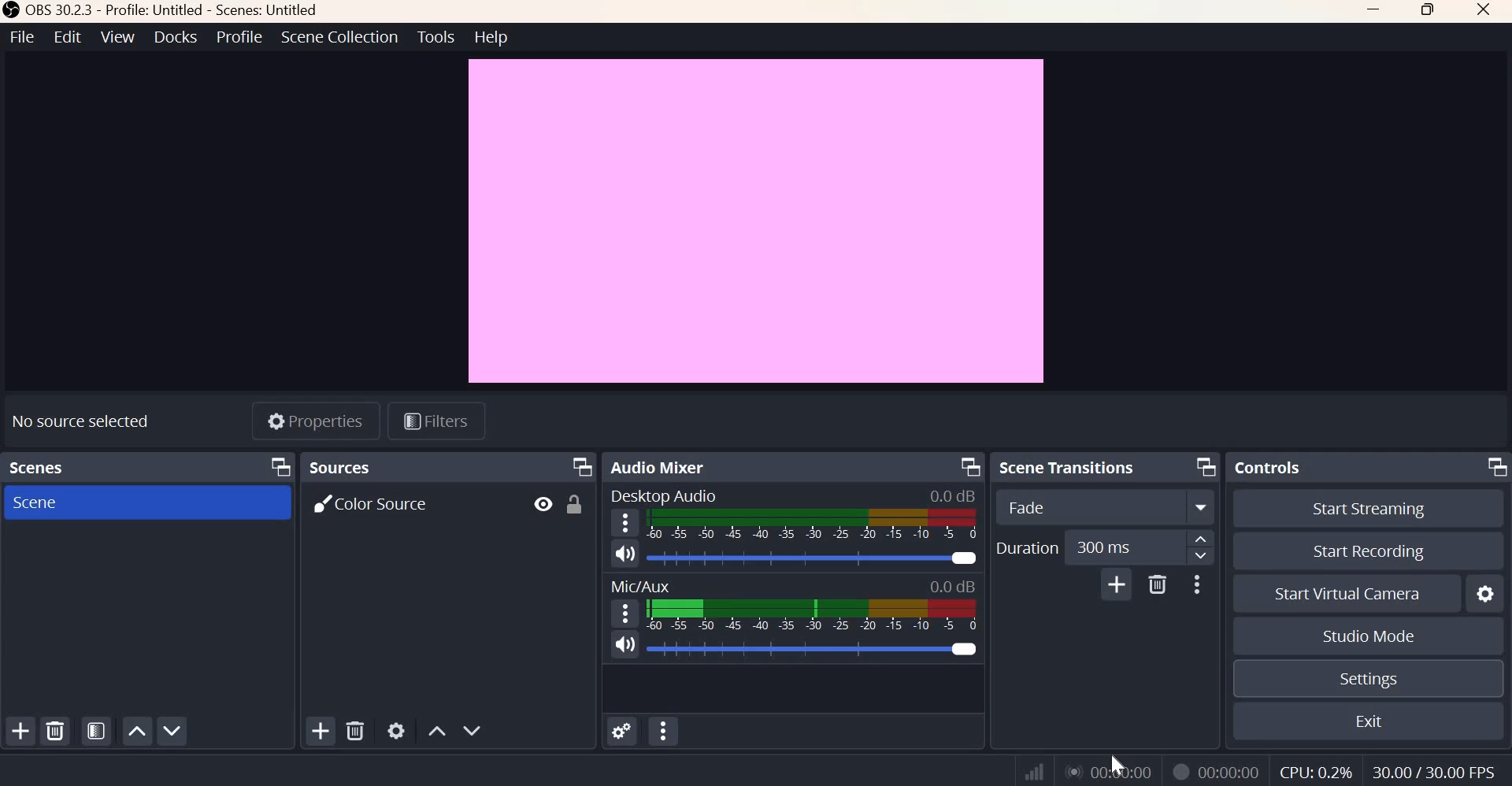 Image resolution: width=1512 pixels, height=786 pixels. Describe the element at coordinates (963, 558) in the screenshot. I see `Audio Slider` at that location.